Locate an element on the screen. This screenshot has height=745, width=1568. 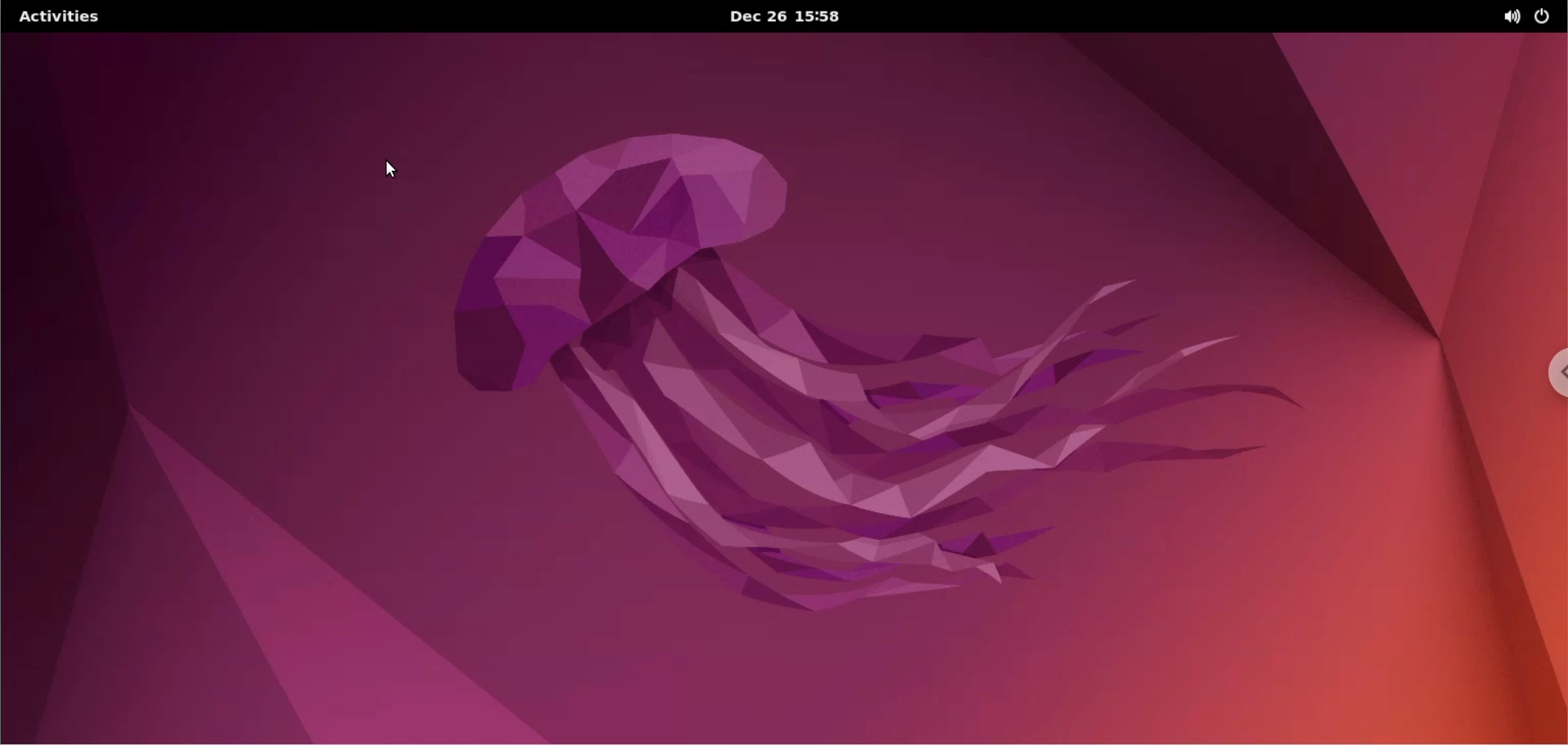
power options is located at coordinates (1543, 16).